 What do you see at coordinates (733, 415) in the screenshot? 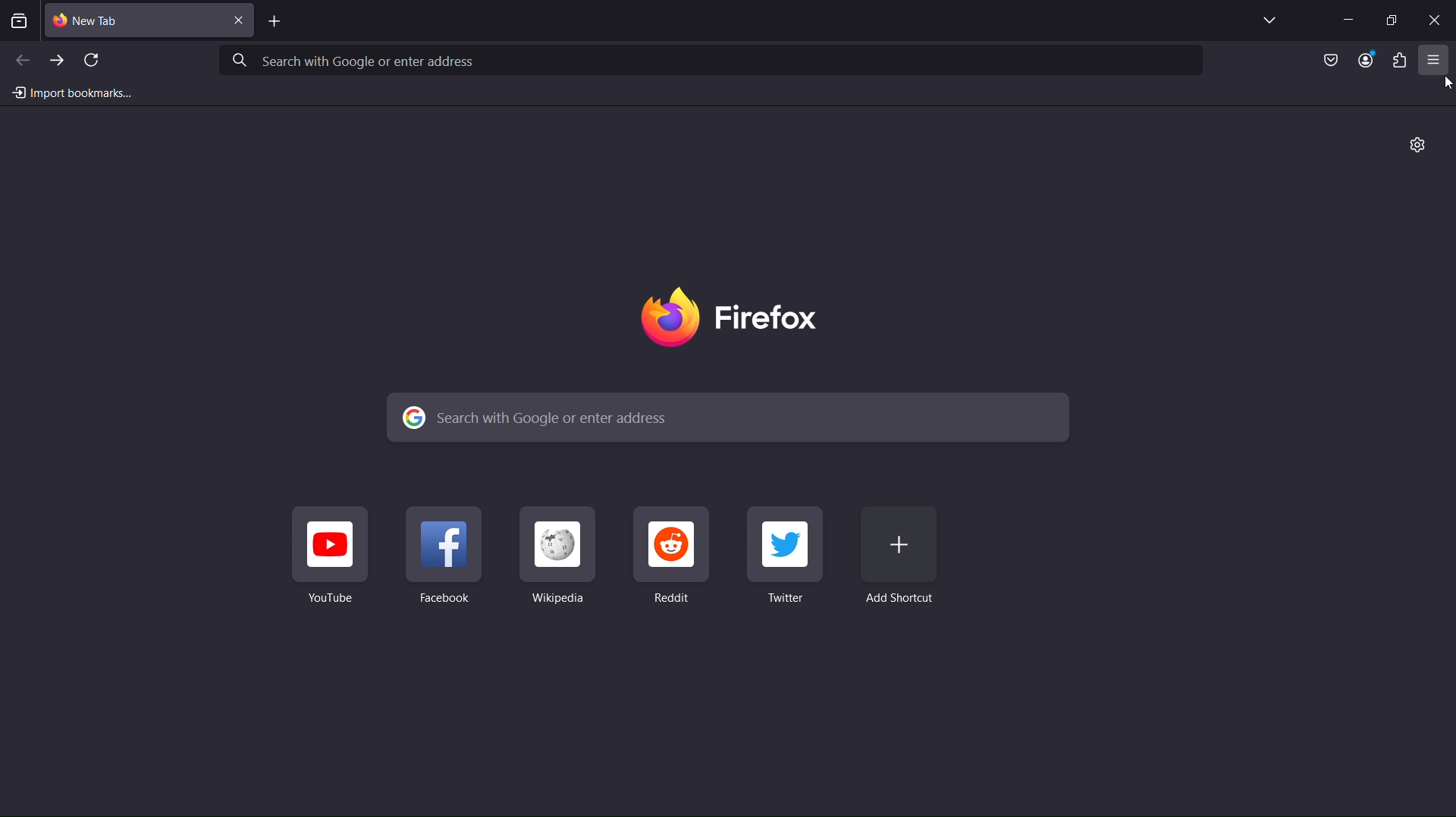
I see `Search with Google or  enter address` at bounding box center [733, 415].